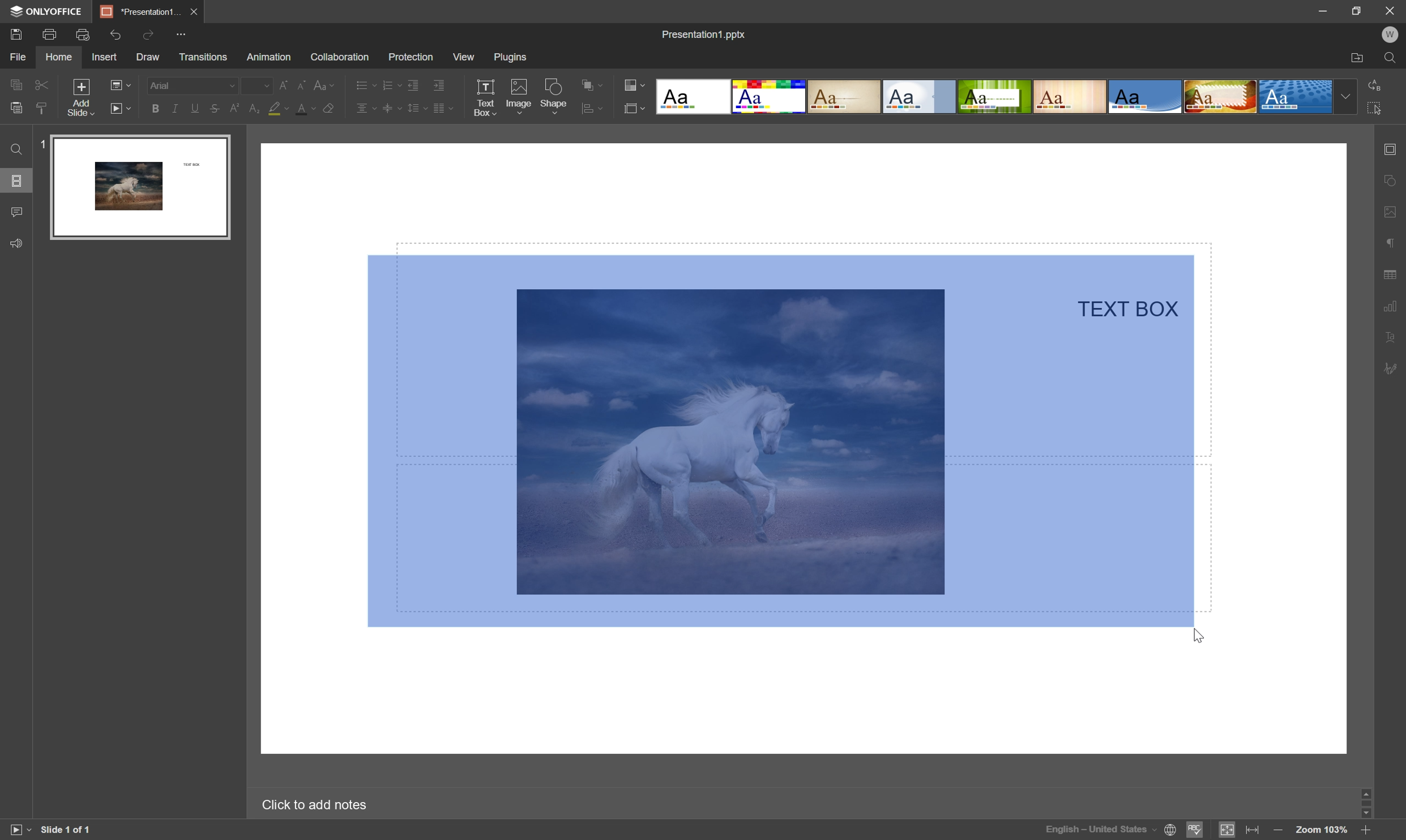  What do you see at coordinates (443, 108) in the screenshot?
I see `insert columns` at bounding box center [443, 108].